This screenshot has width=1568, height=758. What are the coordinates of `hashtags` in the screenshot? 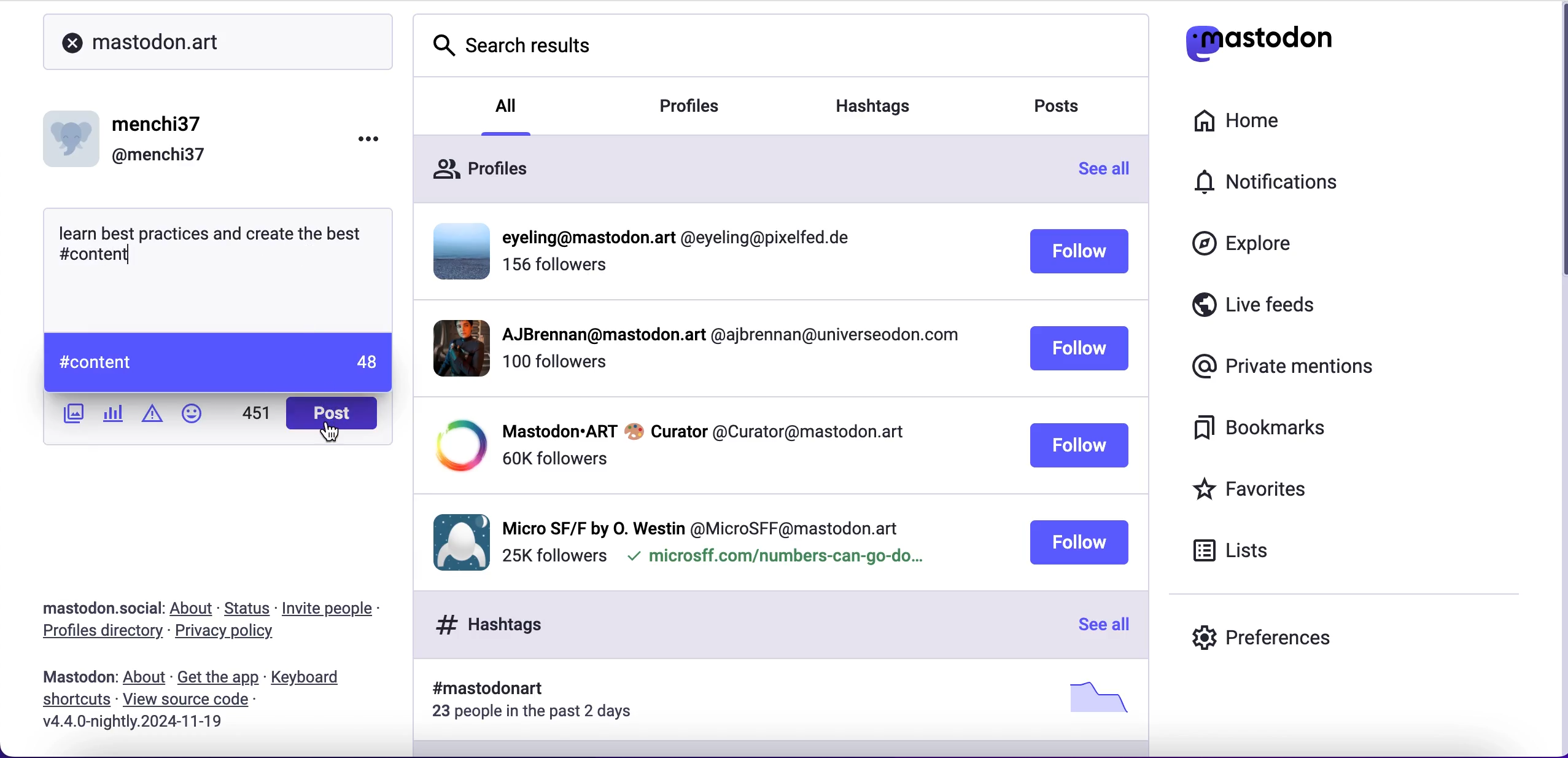 It's located at (889, 101).